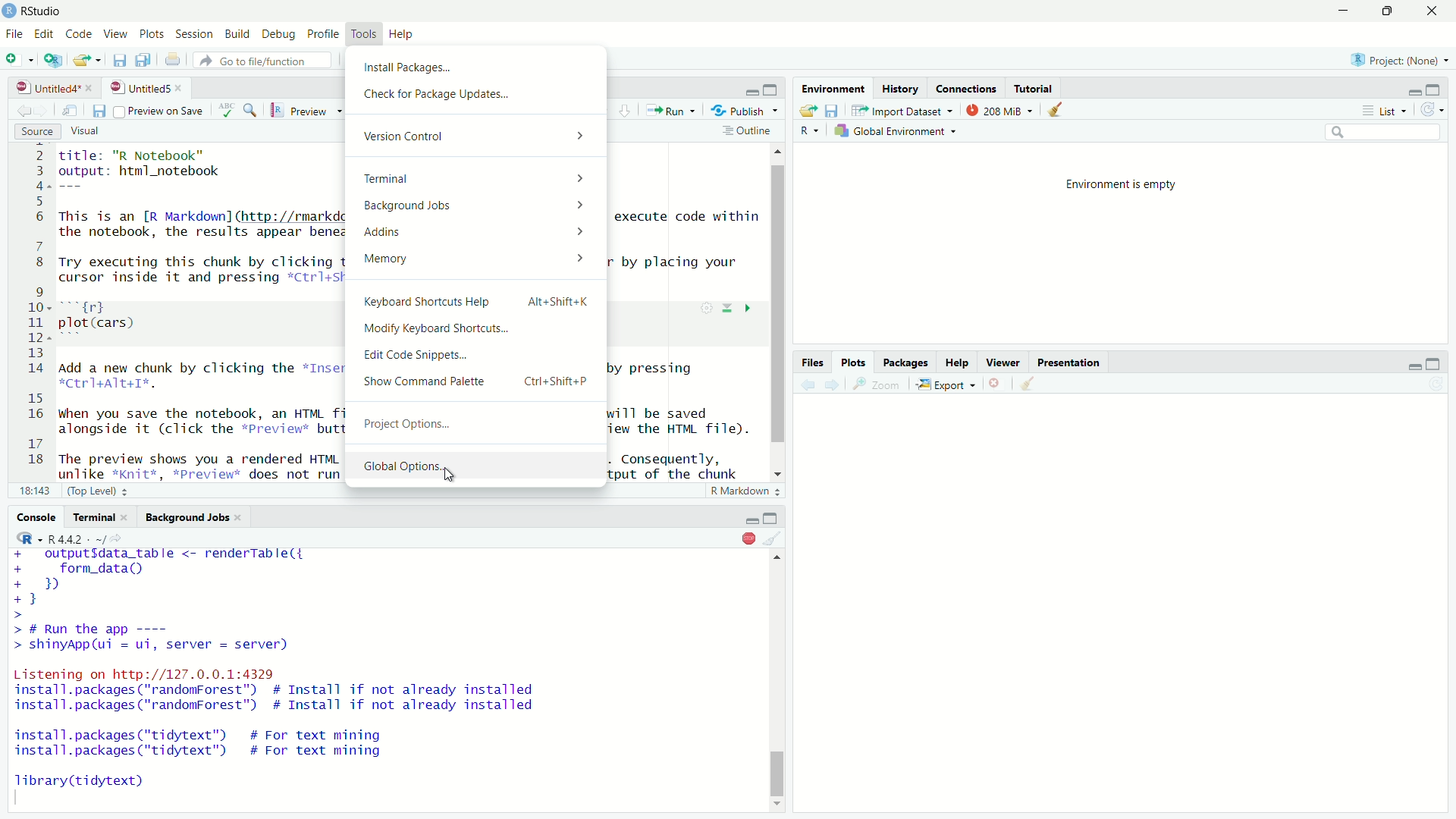 The width and height of the screenshot is (1456, 819). What do you see at coordinates (959, 364) in the screenshot?
I see `Help` at bounding box center [959, 364].